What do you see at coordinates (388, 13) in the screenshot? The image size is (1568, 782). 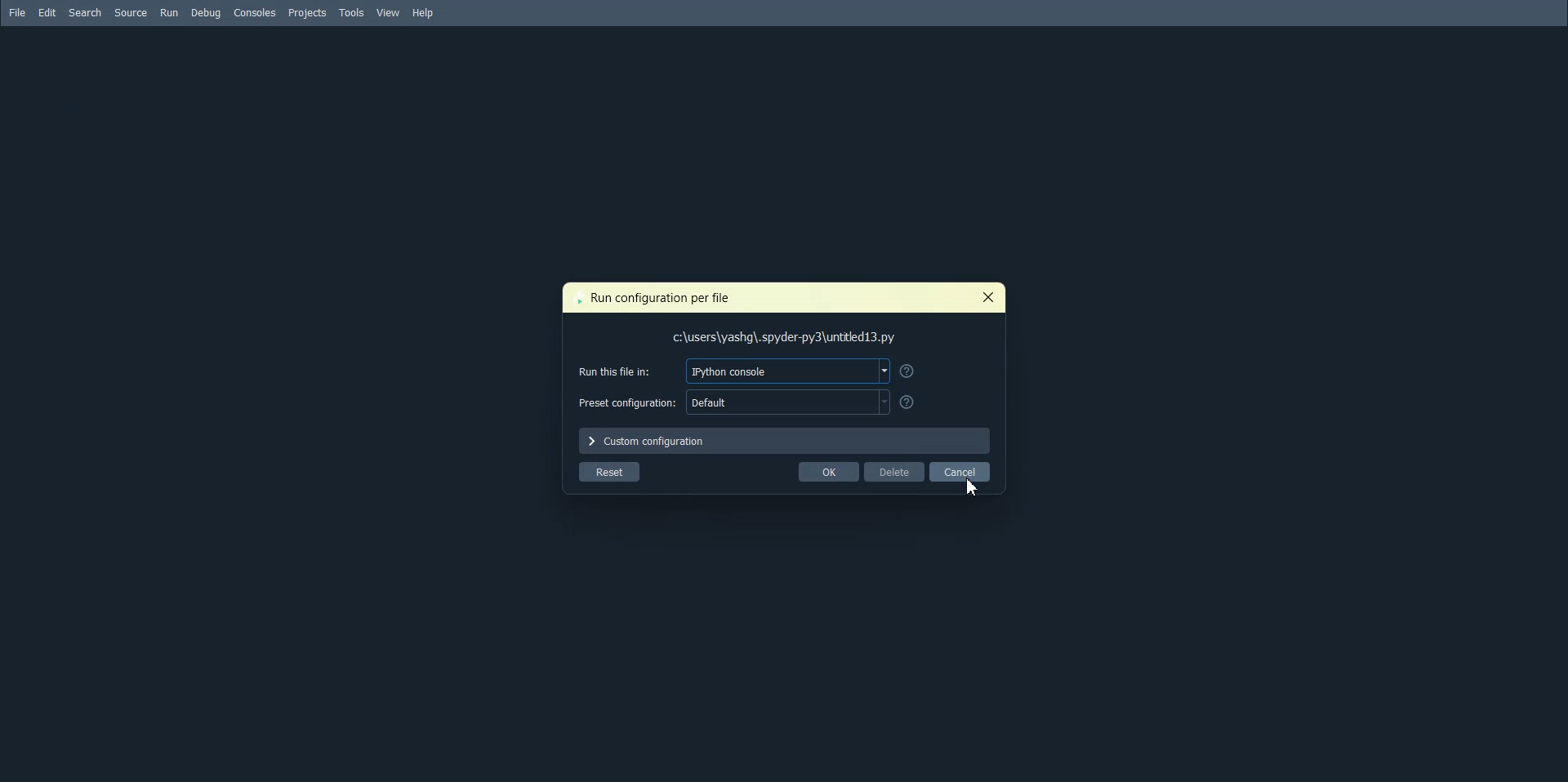 I see `View` at bounding box center [388, 13].